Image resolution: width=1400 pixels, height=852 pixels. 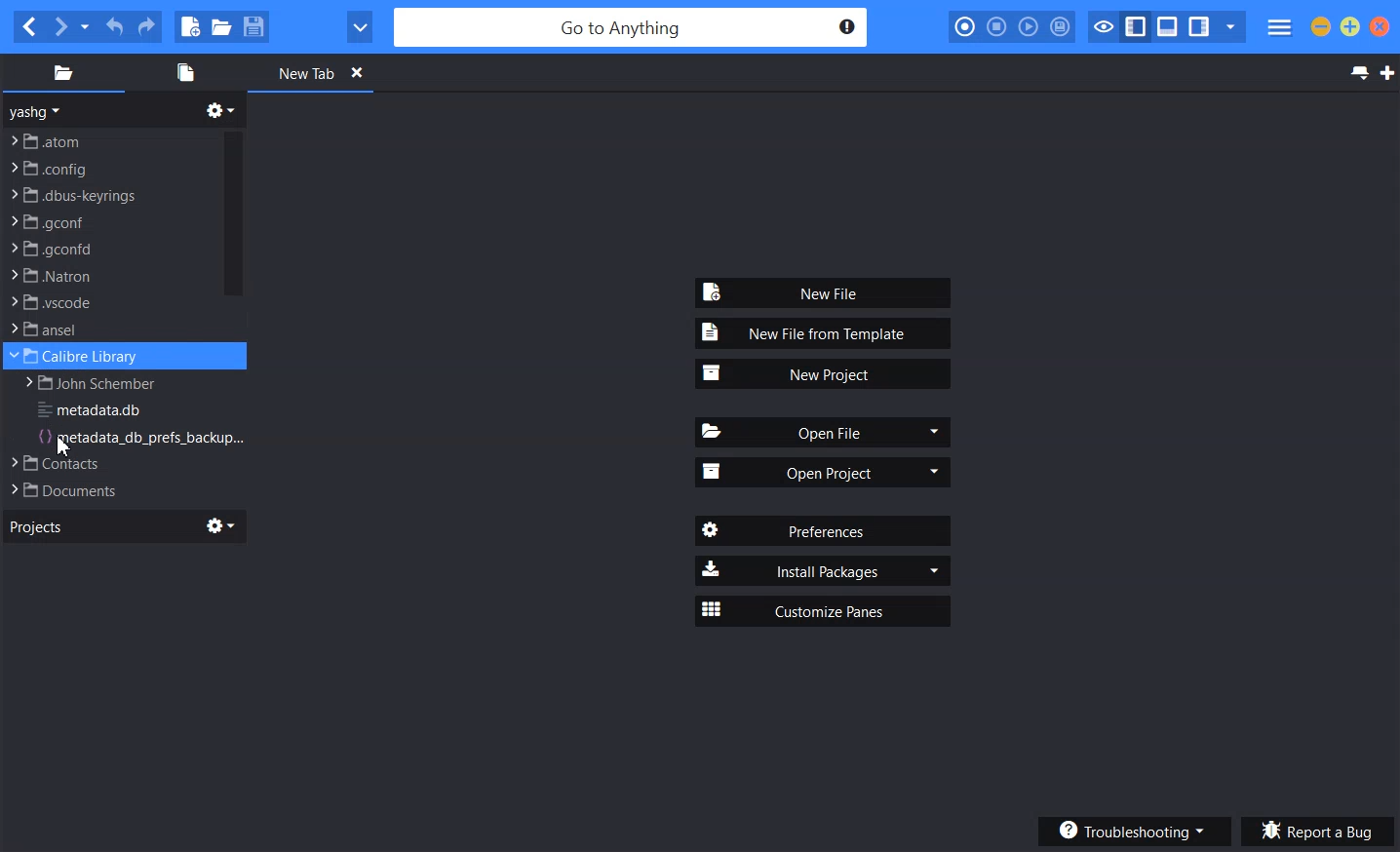 I want to click on File, so click(x=97, y=411).